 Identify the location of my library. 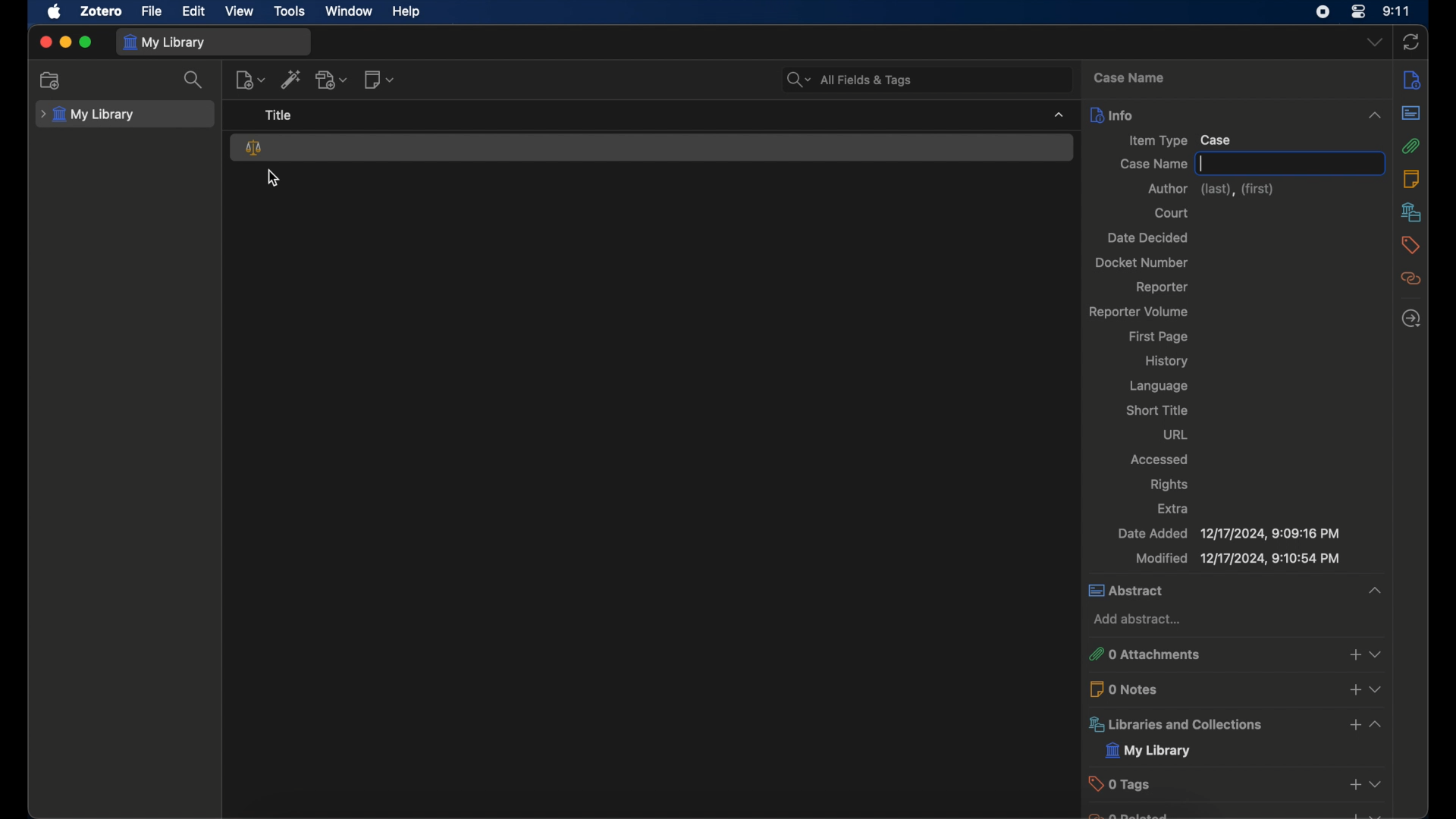
(90, 115).